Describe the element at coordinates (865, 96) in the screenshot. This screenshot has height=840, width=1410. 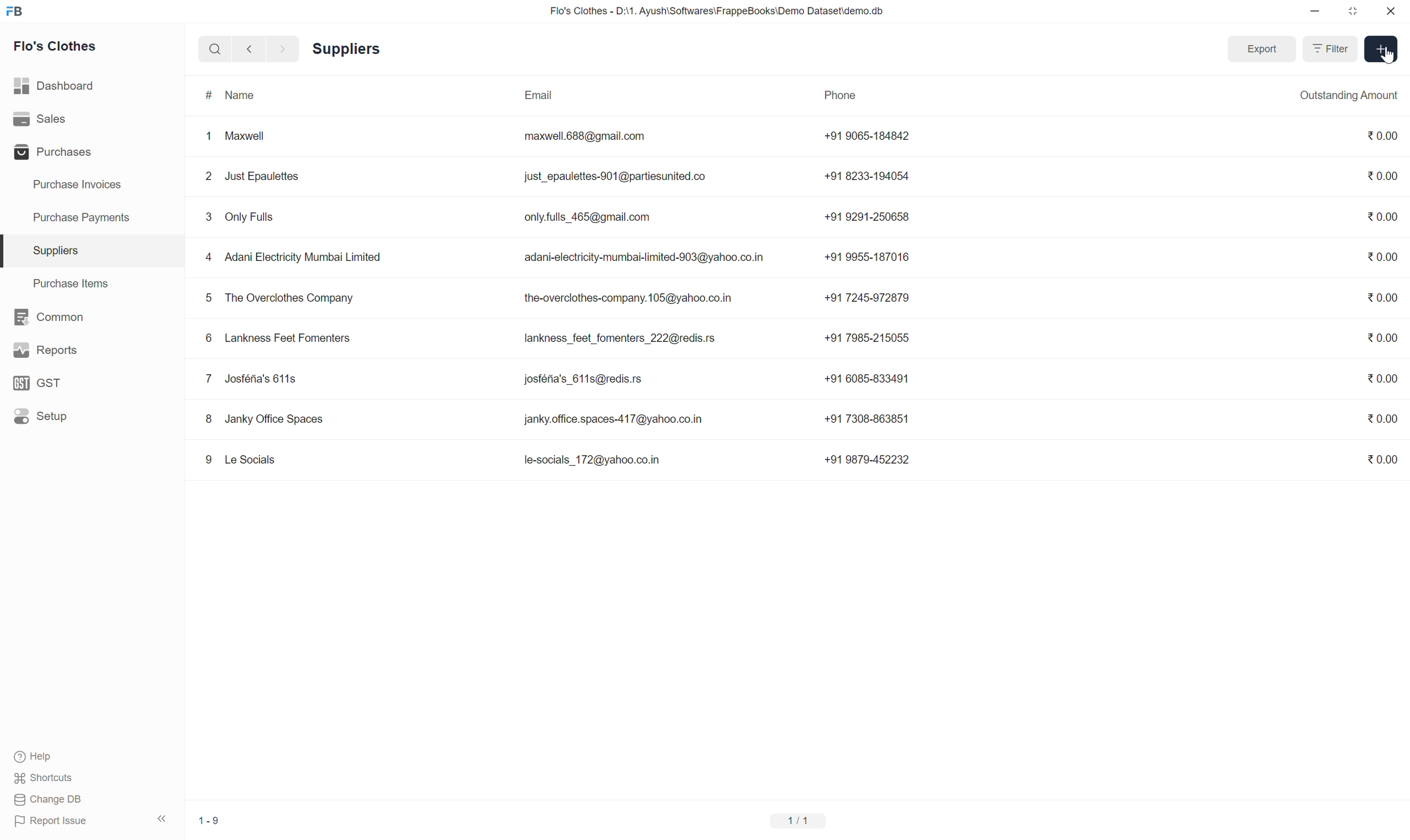
I see `Phone` at that location.